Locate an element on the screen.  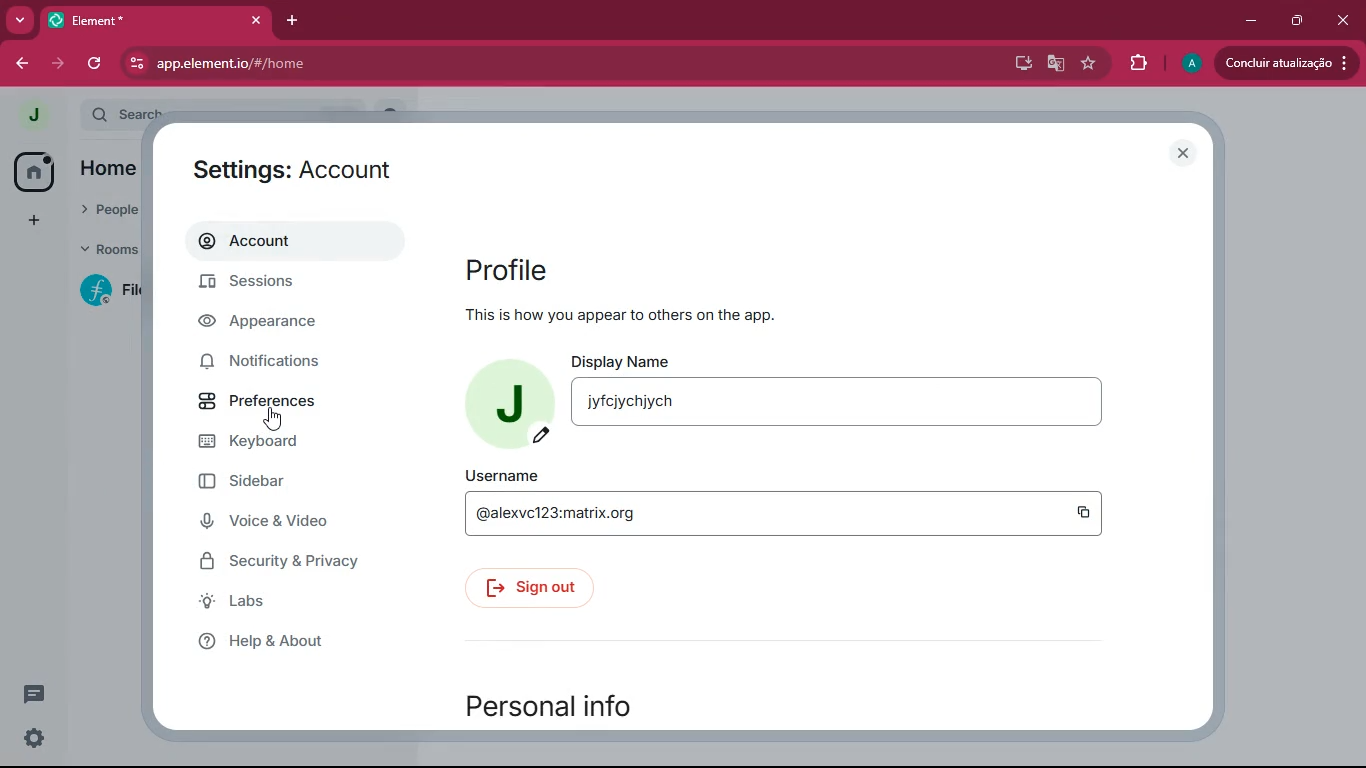
profile is located at coordinates (1189, 64).